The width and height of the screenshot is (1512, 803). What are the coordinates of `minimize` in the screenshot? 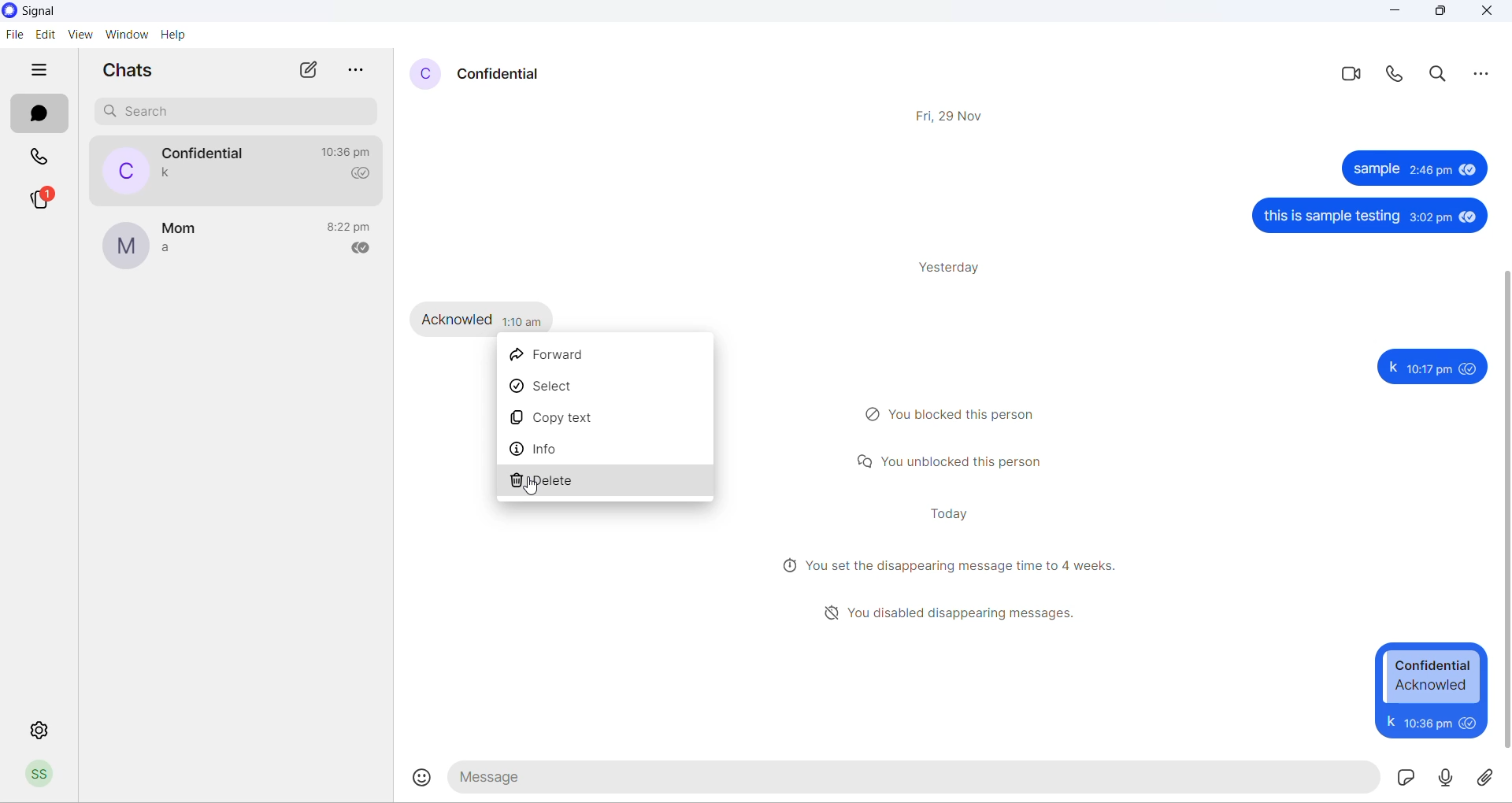 It's located at (1385, 13).